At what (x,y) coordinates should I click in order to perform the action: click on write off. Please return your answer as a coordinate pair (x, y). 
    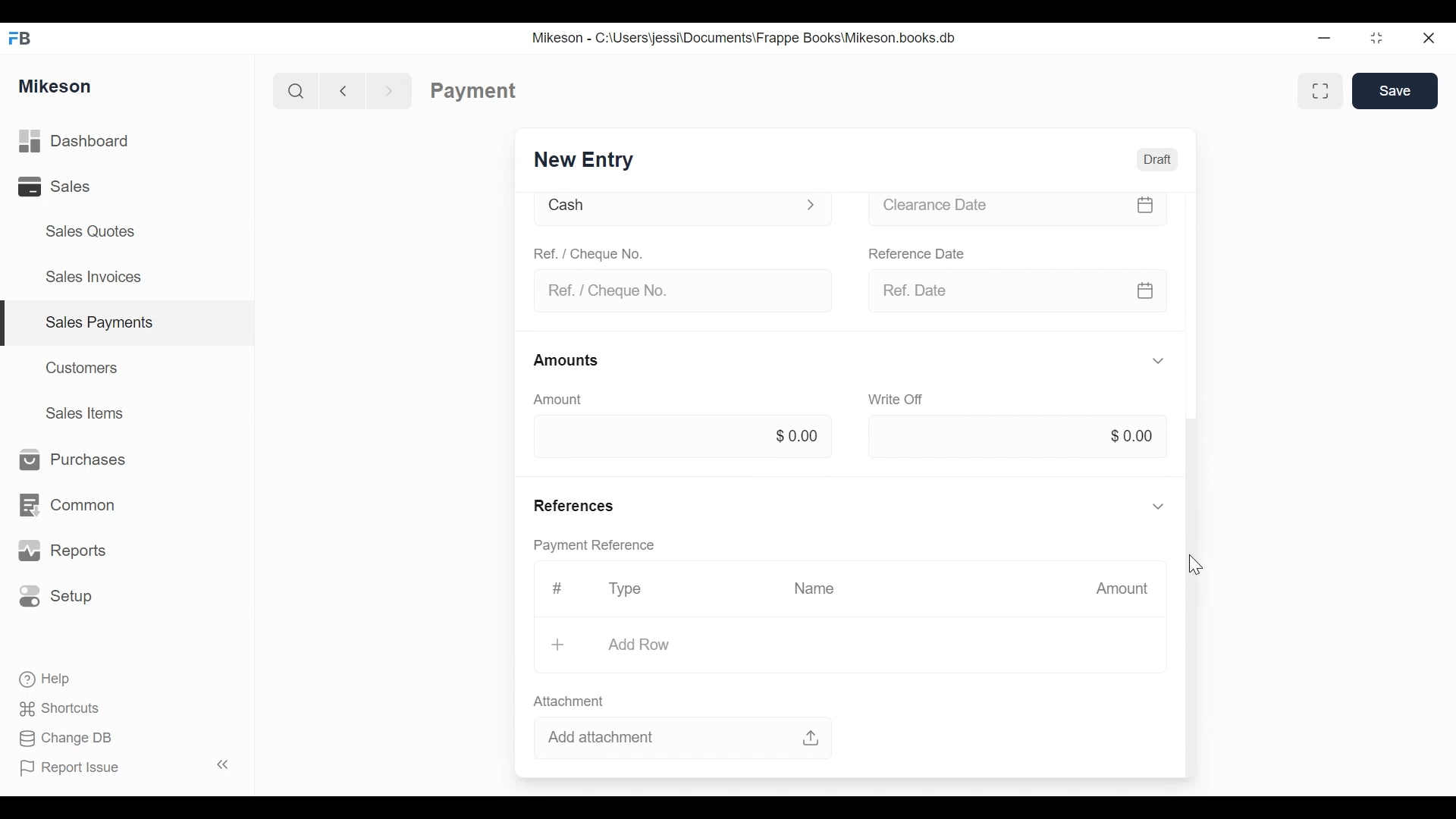
    Looking at the image, I should click on (894, 399).